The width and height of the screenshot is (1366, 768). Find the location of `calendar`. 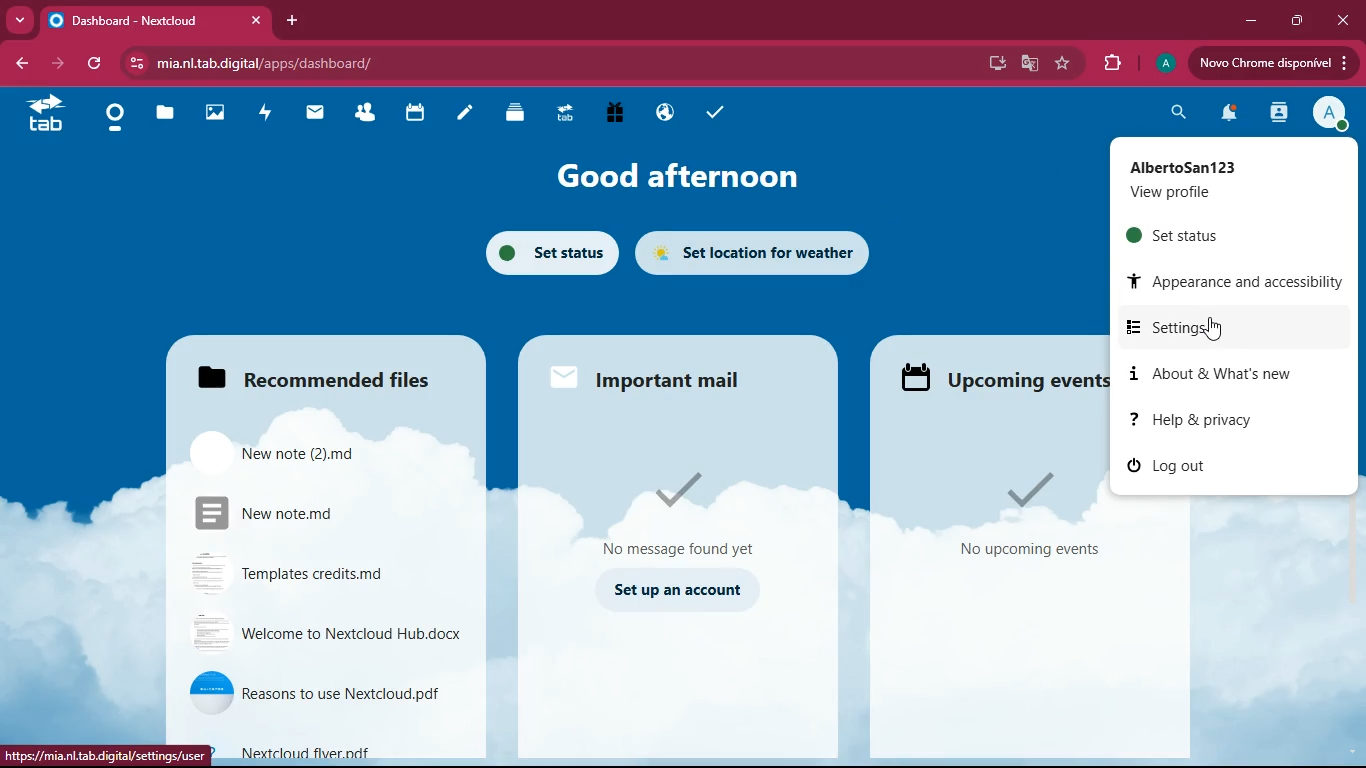

calendar is located at coordinates (409, 115).